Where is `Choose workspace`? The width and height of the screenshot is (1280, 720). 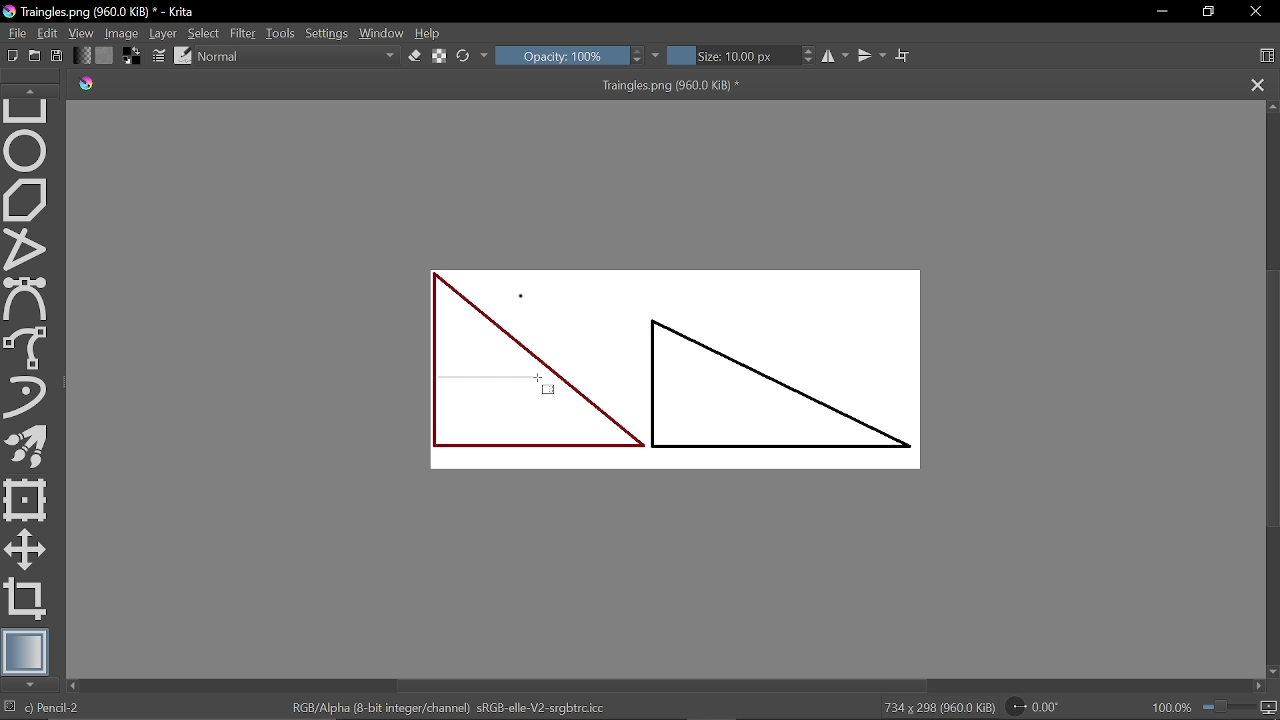
Choose workspace is located at coordinates (1267, 55).